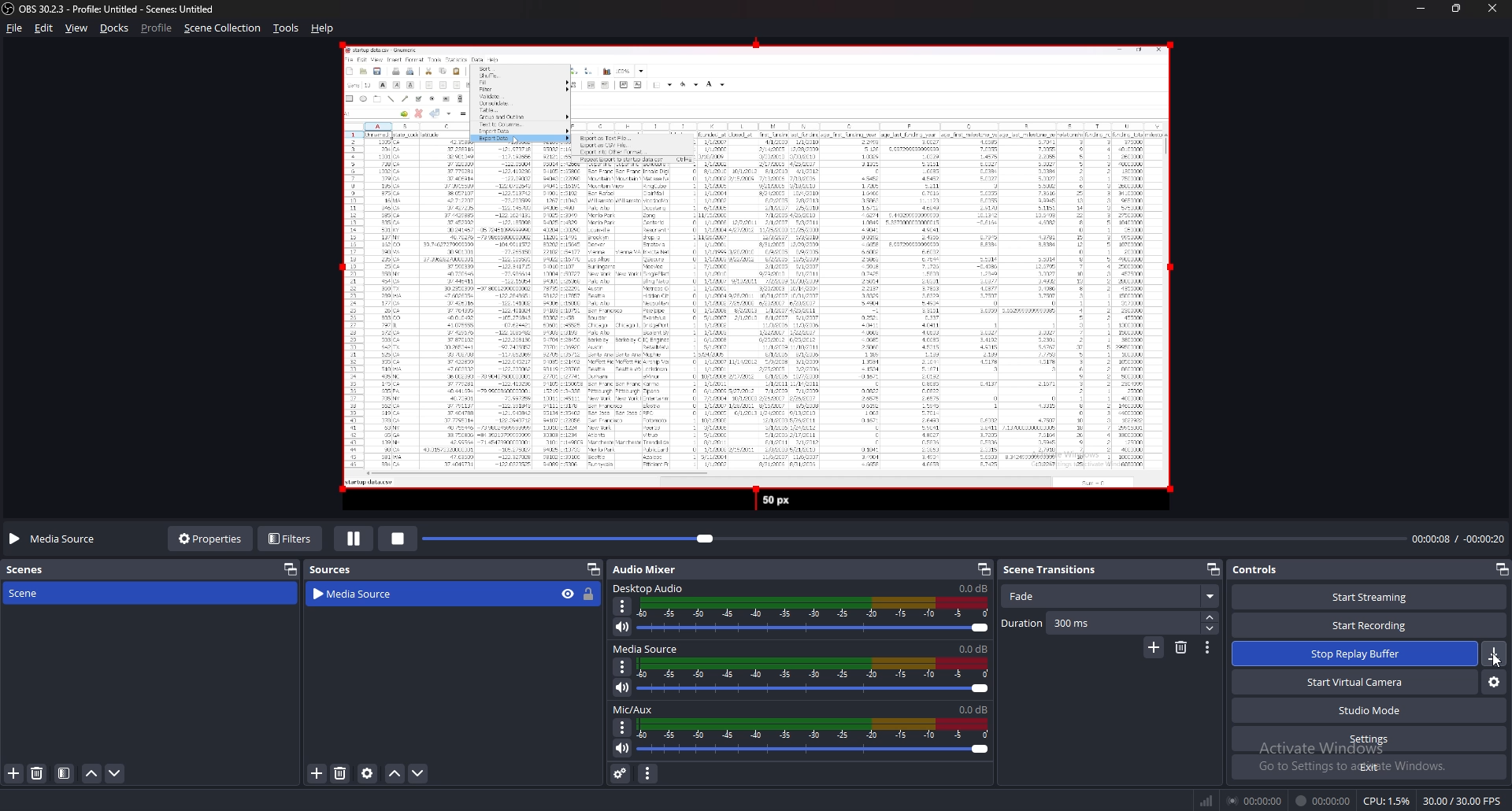 The width and height of the screenshot is (1512, 811). I want to click on media source audio adjust, so click(816, 676).